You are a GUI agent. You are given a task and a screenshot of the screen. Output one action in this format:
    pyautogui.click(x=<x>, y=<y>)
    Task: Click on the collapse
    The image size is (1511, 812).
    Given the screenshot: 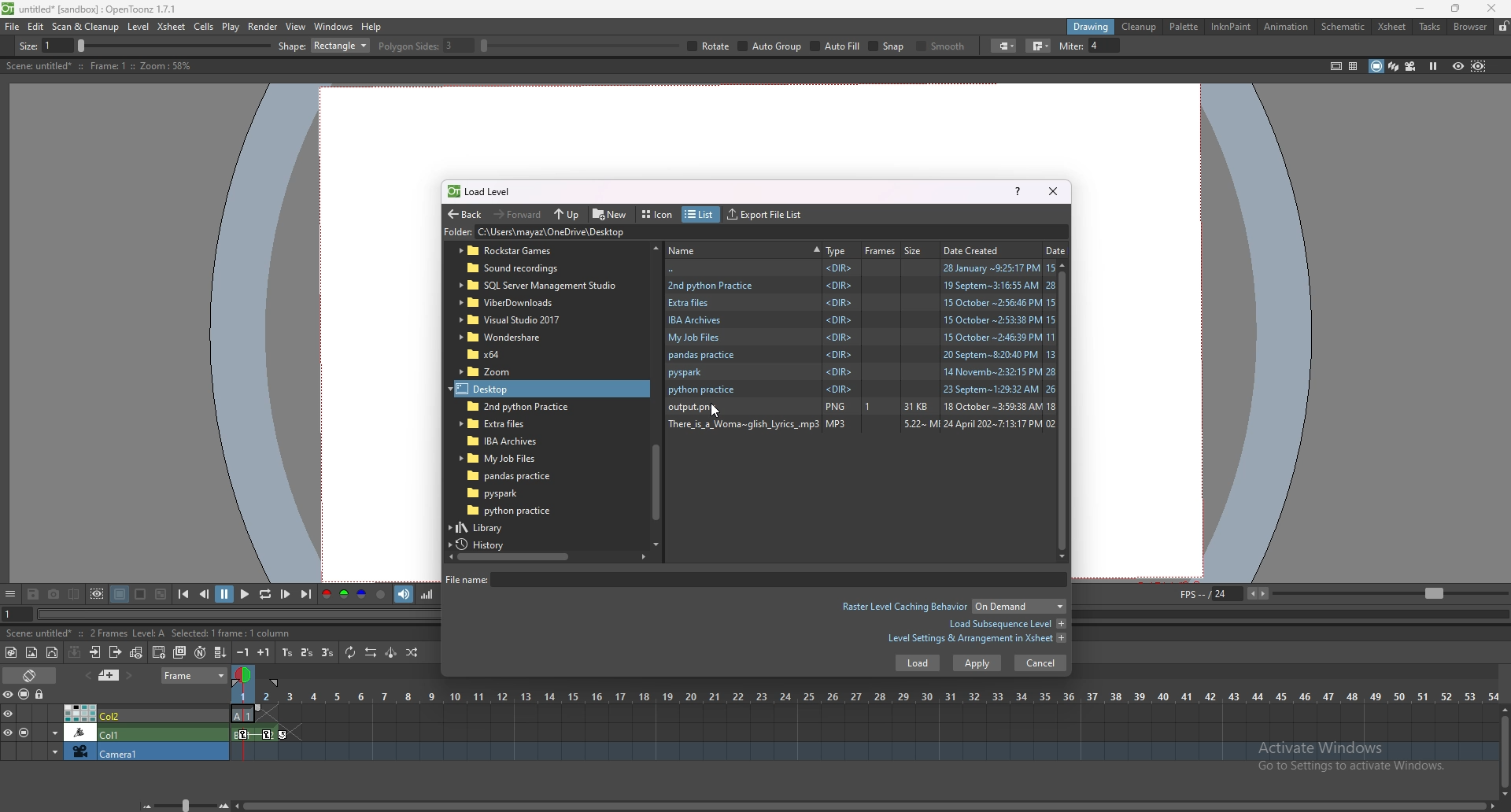 What is the action you would take?
    pyautogui.click(x=74, y=651)
    